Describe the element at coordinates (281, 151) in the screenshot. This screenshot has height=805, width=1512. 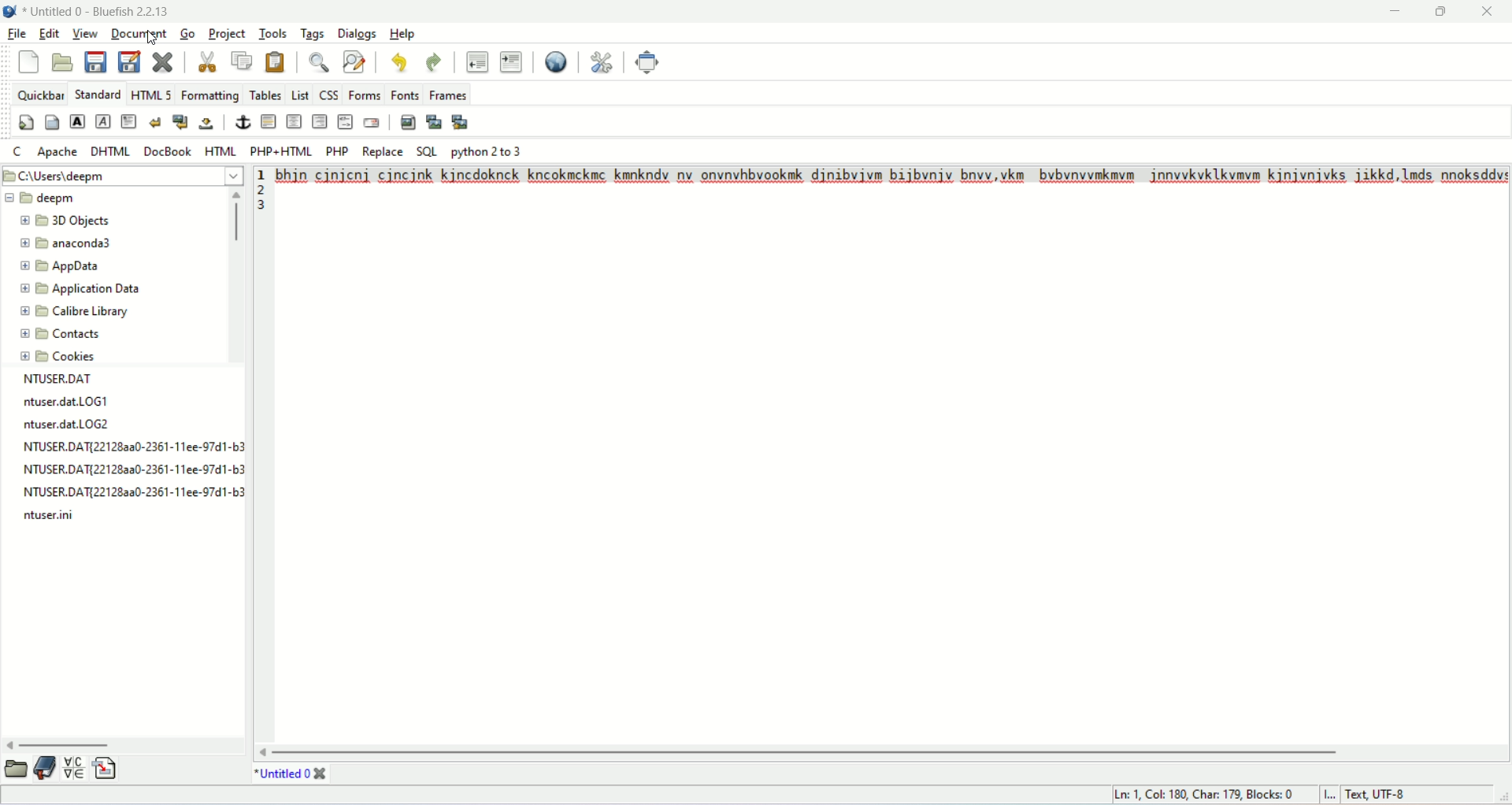
I see `PHP+HTML` at that location.